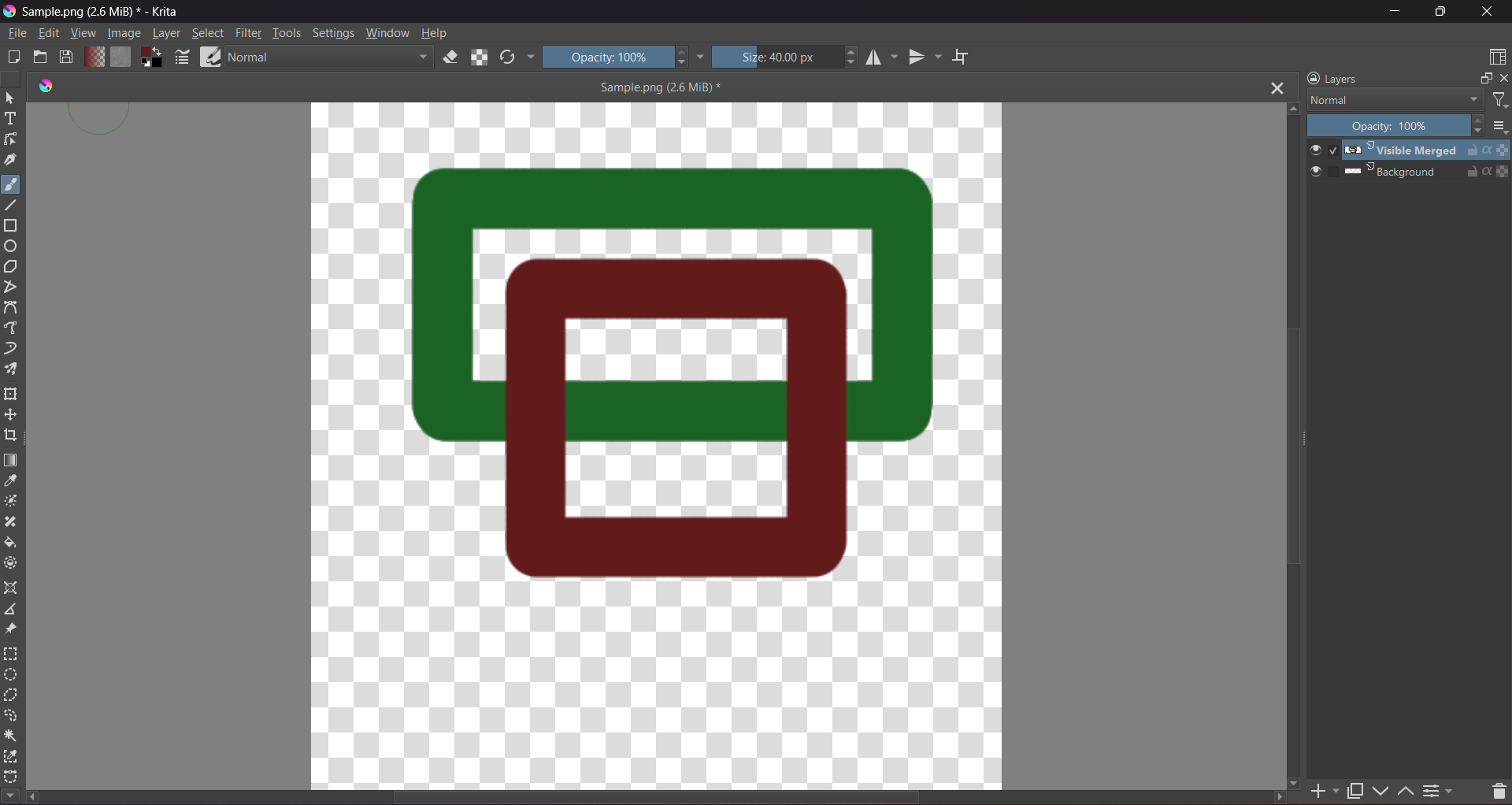 The image size is (1512, 805). What do you see at coordinates (14, 56) in the screenshot?
I see `New` at bounding box center [14, 56].